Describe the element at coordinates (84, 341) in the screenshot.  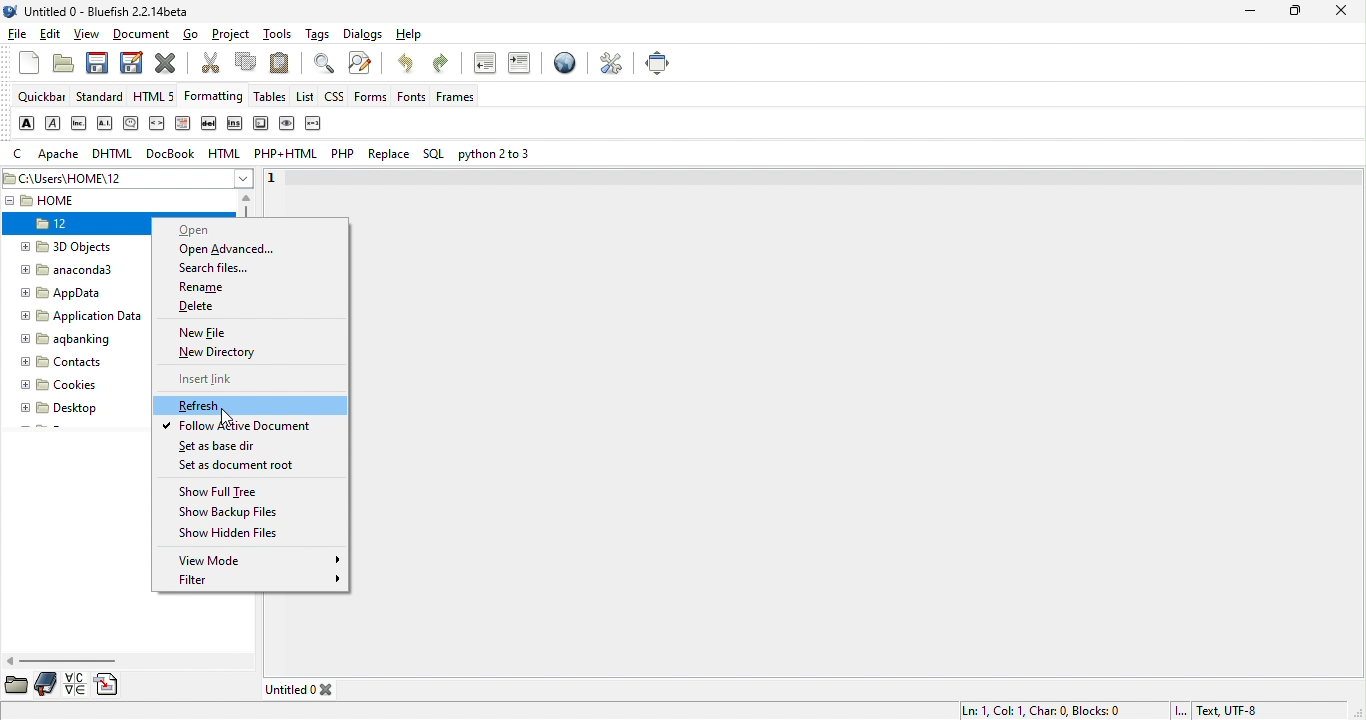
I see `aqbanking` at that location.